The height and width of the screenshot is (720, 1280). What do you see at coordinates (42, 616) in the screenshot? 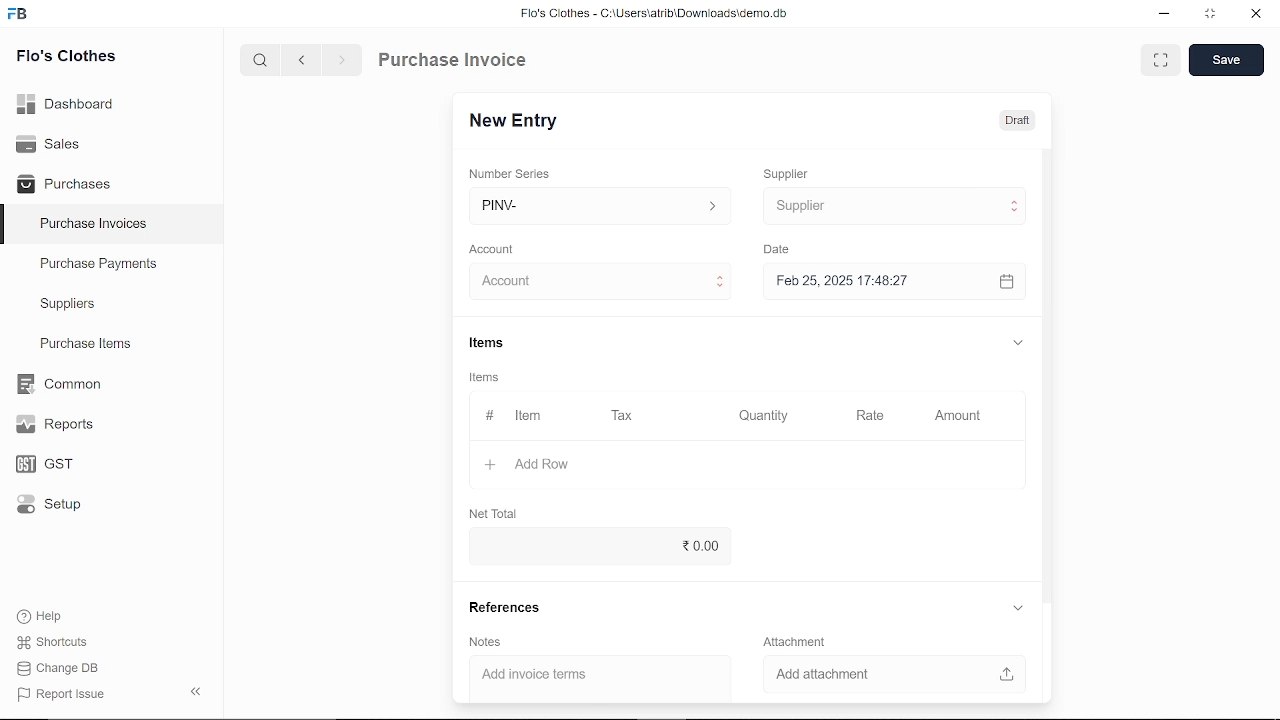
I see `Help` at bounding box center [42, 616].